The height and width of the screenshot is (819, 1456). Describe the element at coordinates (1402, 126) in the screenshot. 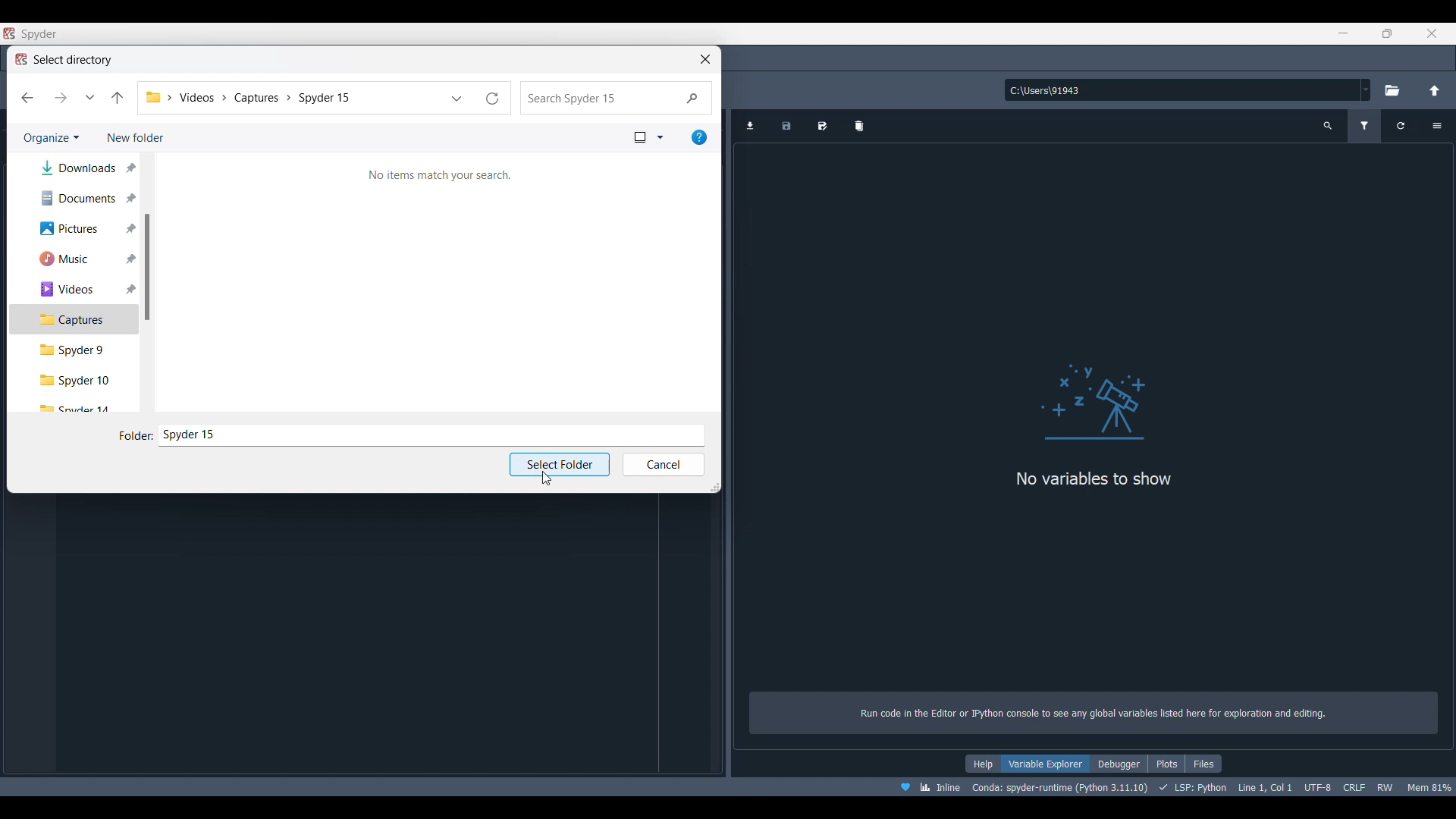

I see `Refresh variables` at that location.